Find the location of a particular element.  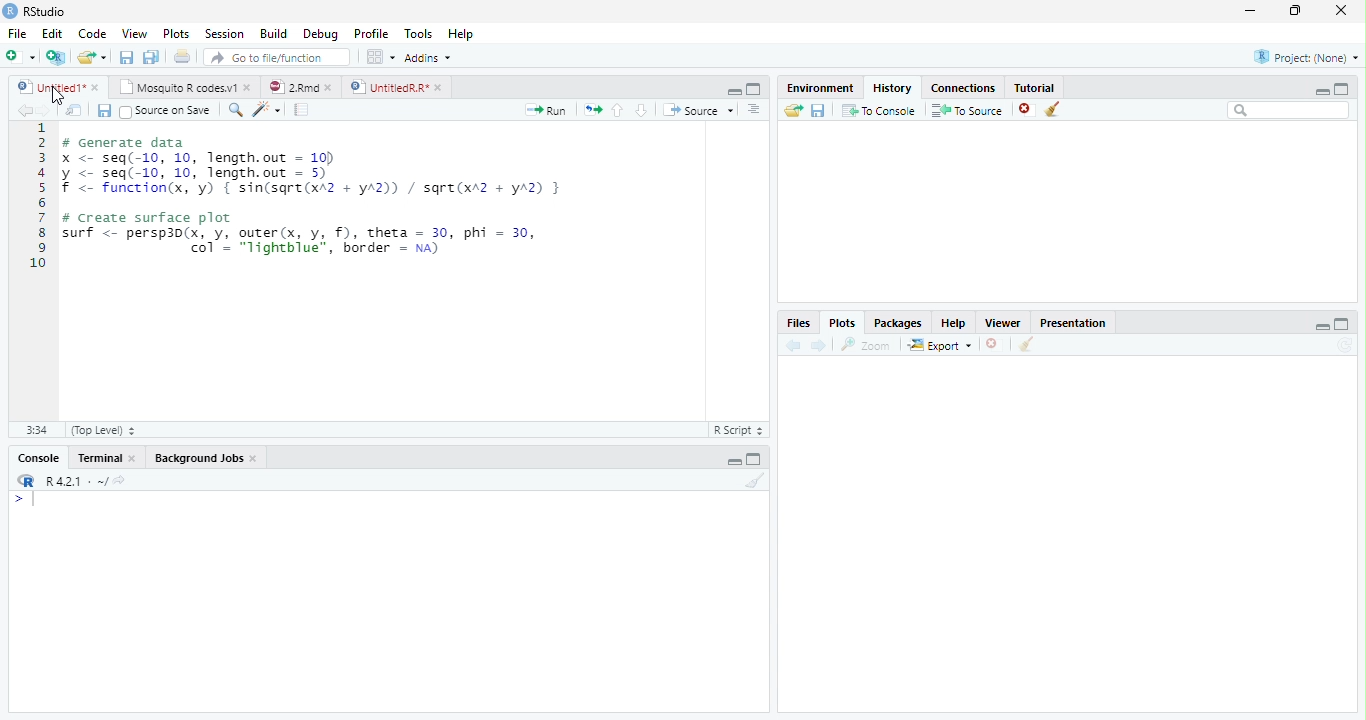

2.Rmd is located at coordinates (292, 86).